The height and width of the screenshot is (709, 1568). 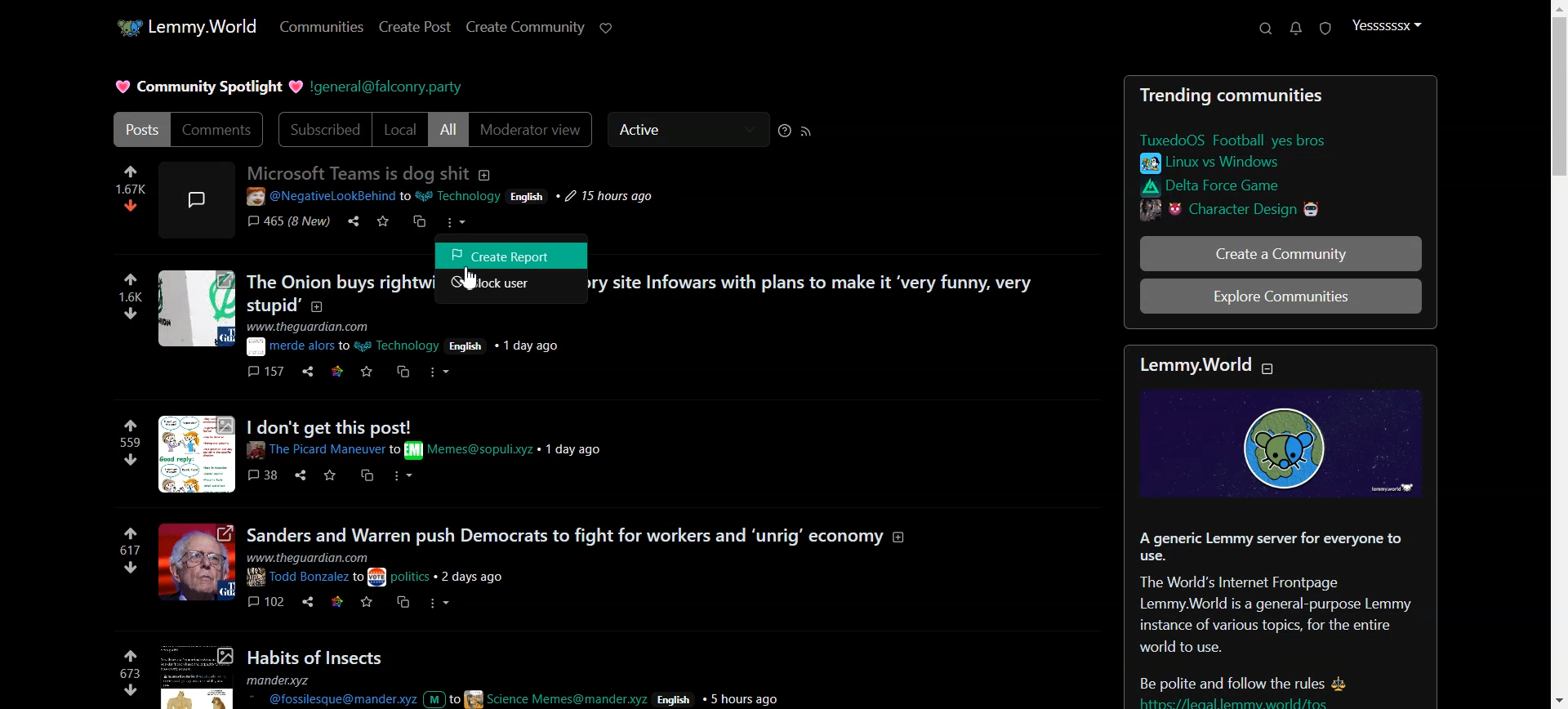 What do you see at coordinates (131, 442) in the screenshot?
I see `numbers` at bounding box center [131, 442].